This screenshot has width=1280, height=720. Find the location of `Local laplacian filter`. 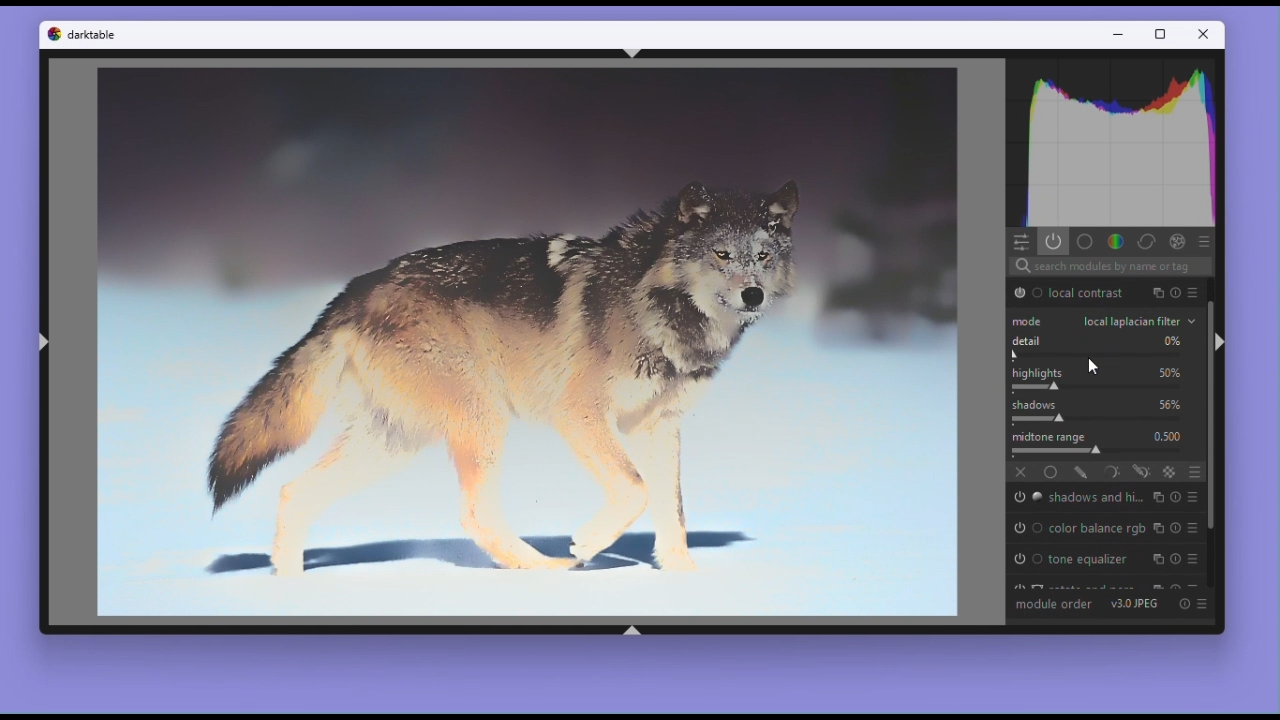

Local laplacian filter is located at coordinates (1138, 319).